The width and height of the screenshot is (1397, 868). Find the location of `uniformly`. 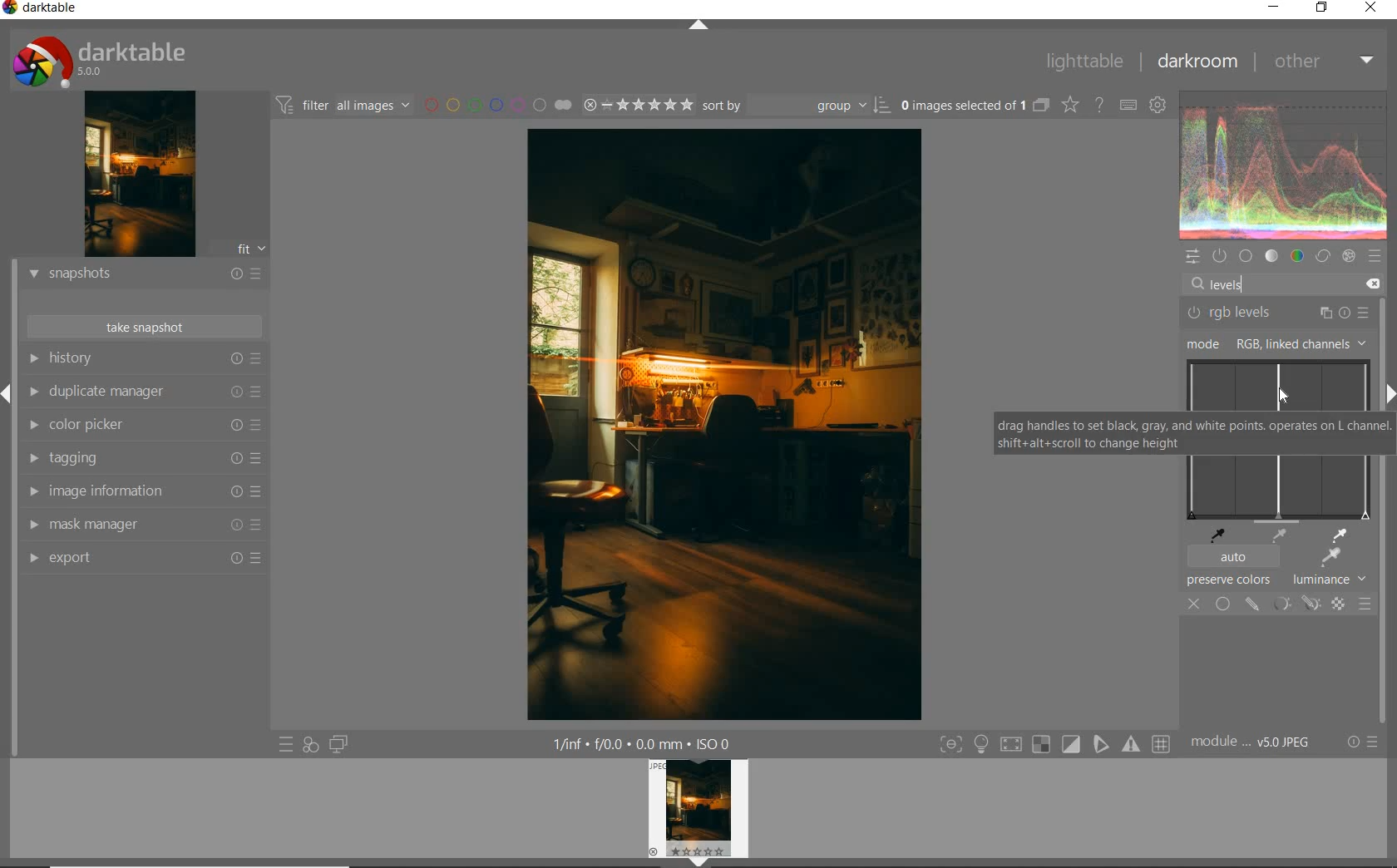

uniformly is located at coordinates (1222, 604).